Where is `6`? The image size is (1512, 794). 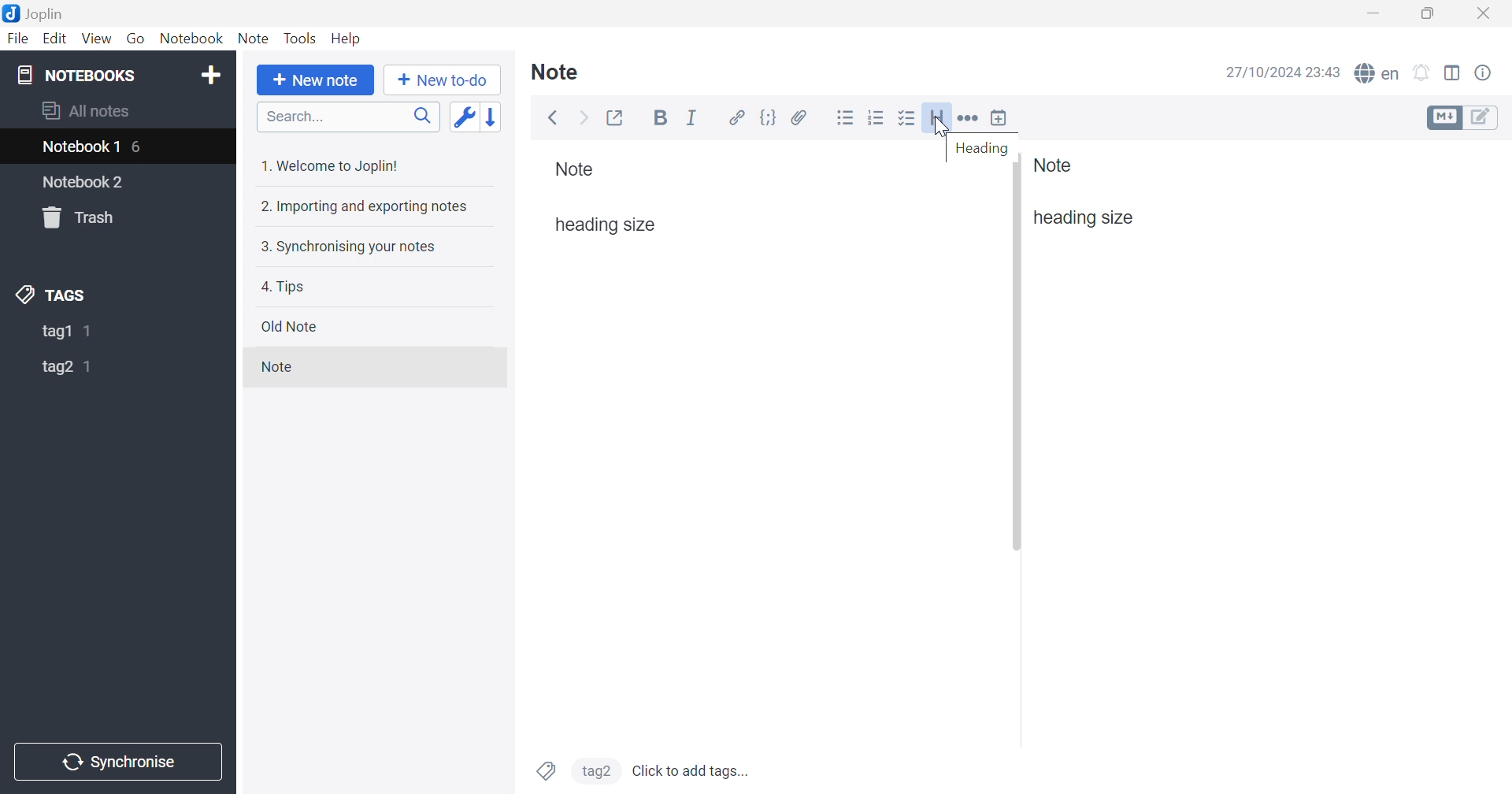 6 is located at coordinates (138, 149).